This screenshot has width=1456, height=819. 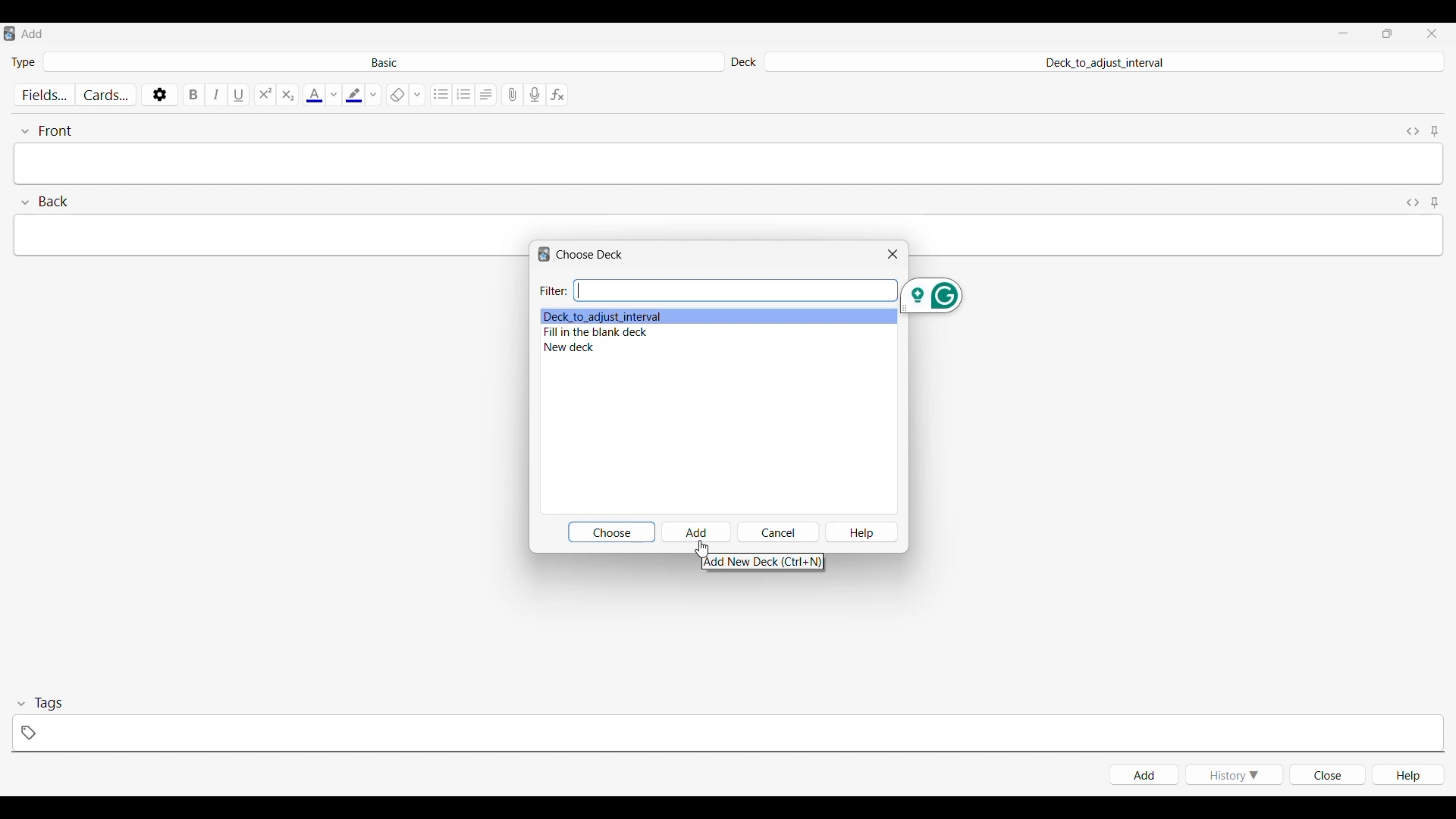 What do you see at coordinates (1103, 63) in the screenshot?
I see `Click to select deck` at bounding box center [1103, 63].